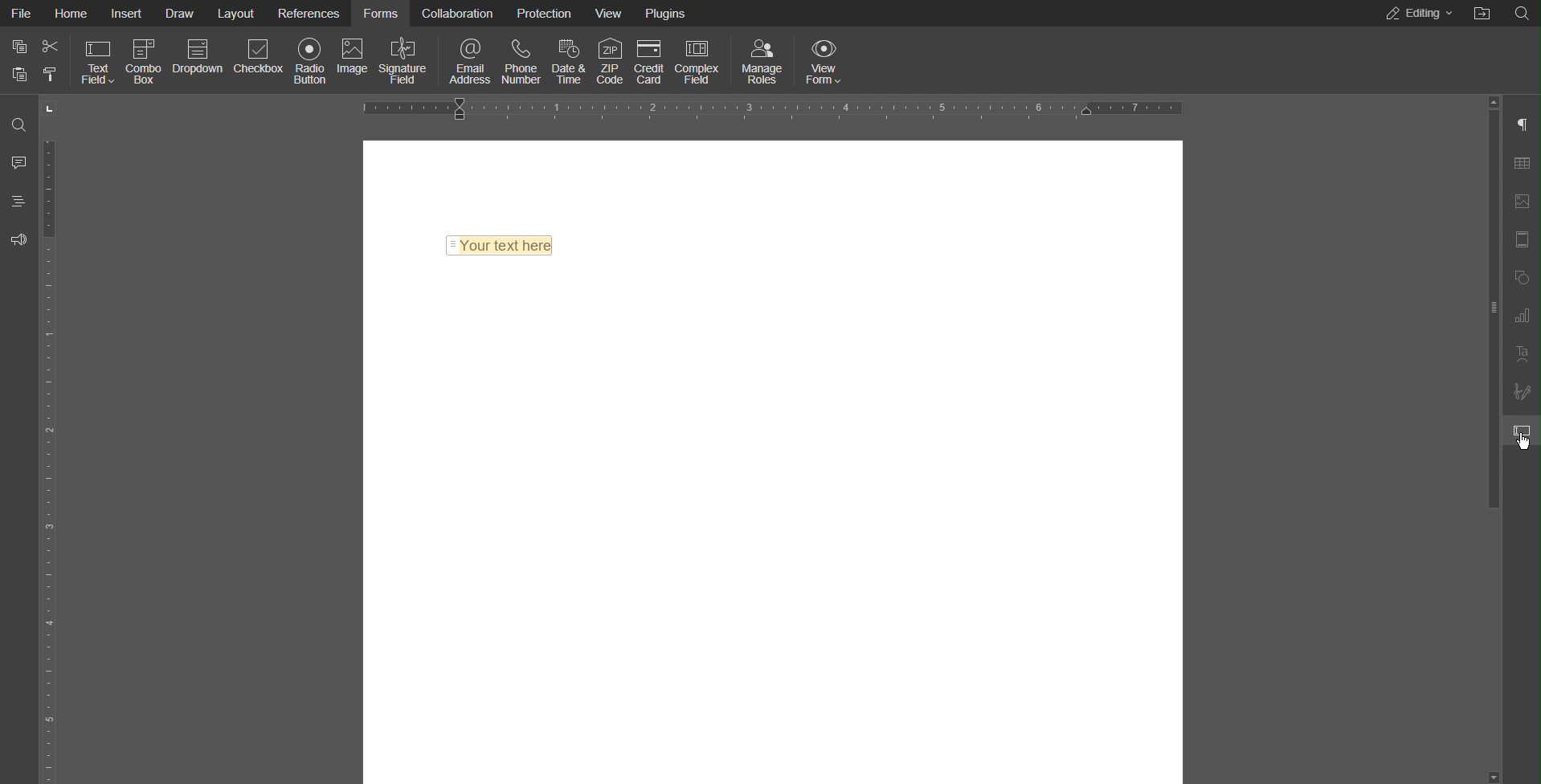  I want to click on View, so click(611, 12).